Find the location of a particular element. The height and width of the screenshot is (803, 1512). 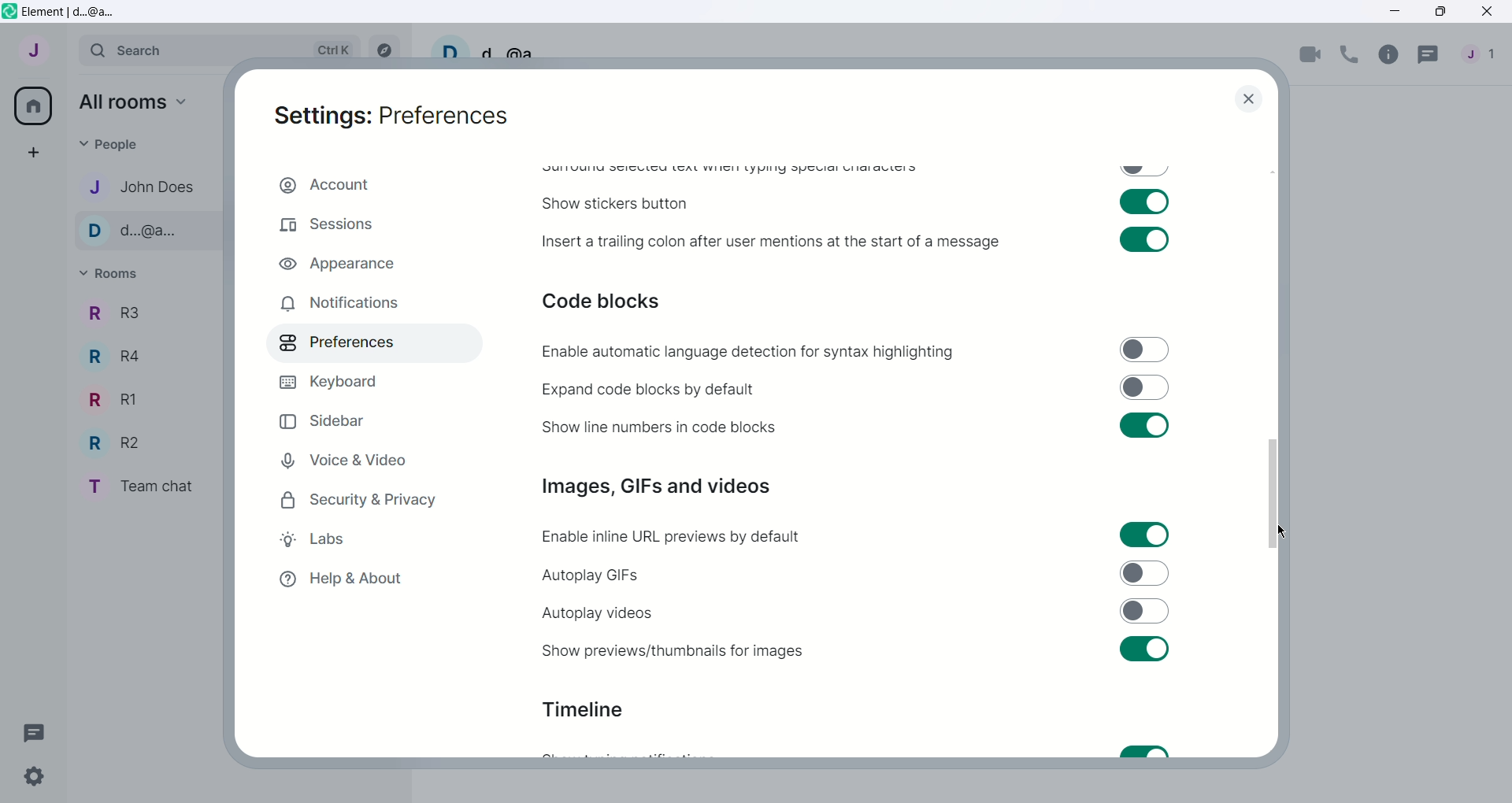

Show previews or thumbnails for images is located at coordinates (669, 650).